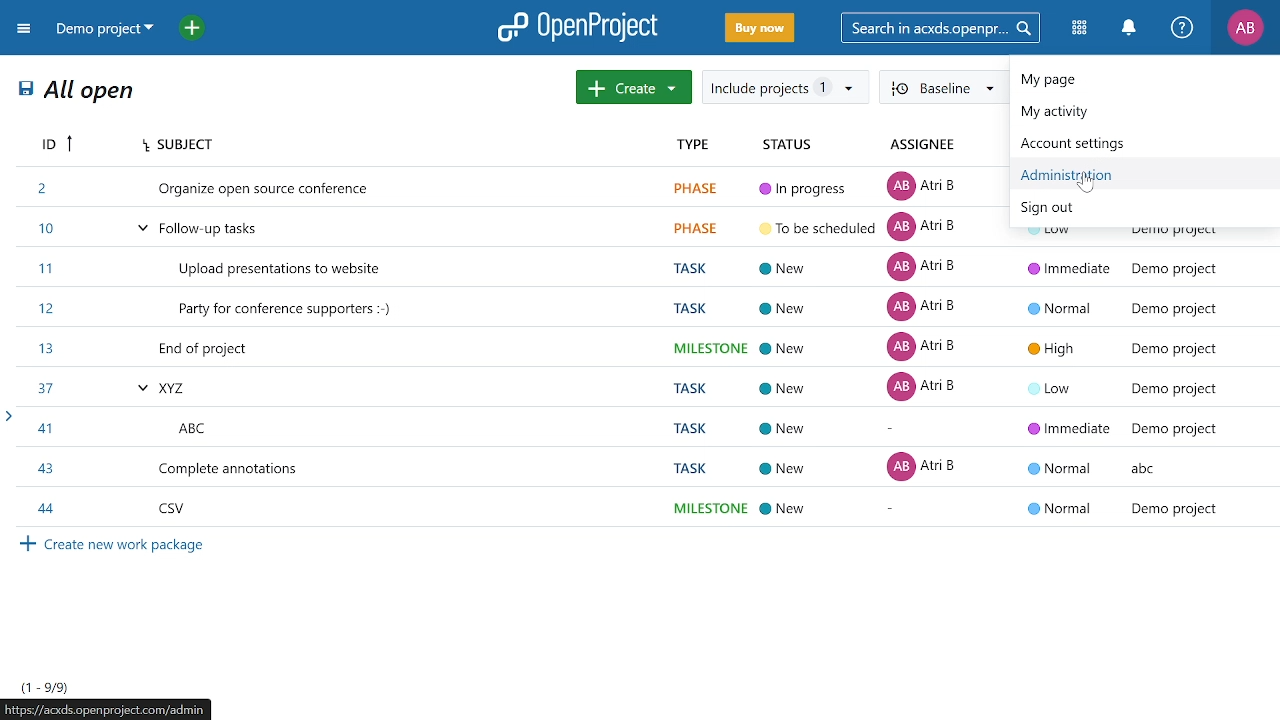 This screenshot has width=1280, height=720. I want to click on my page, so click(1132, 80).